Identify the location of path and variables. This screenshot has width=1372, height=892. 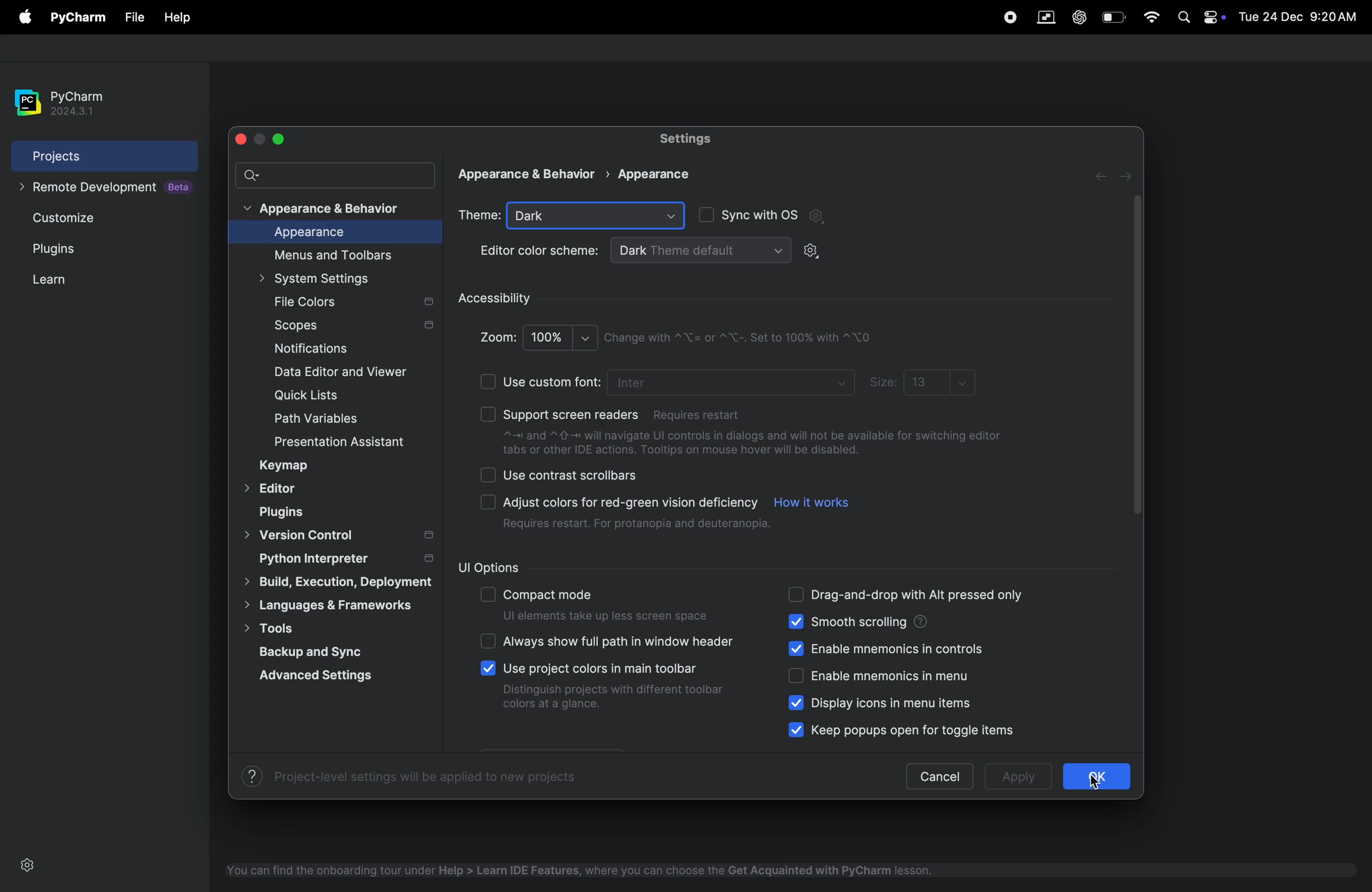
(318, 419).